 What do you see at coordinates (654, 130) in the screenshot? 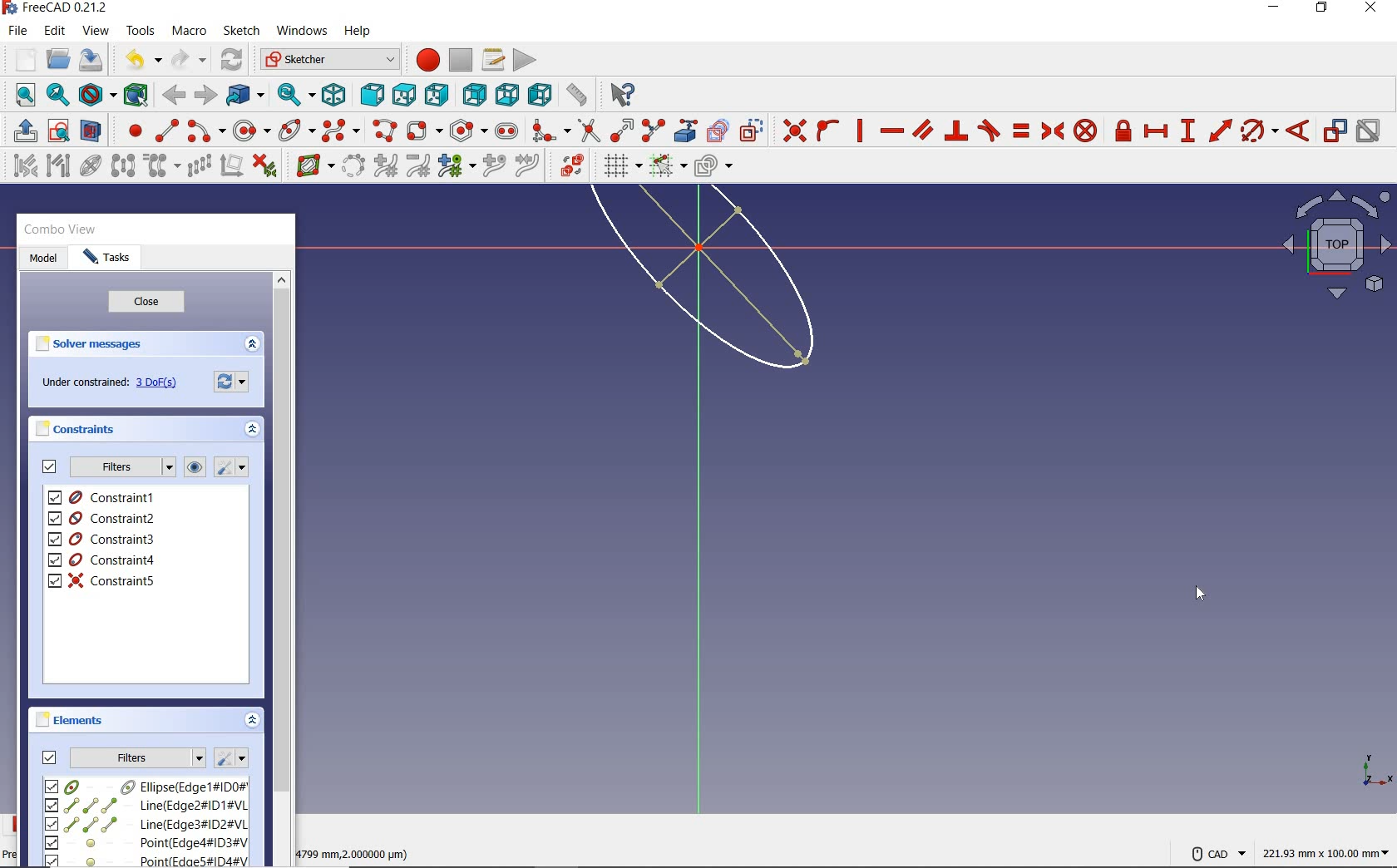
I see `split edge` at bounding box center [654, 130].